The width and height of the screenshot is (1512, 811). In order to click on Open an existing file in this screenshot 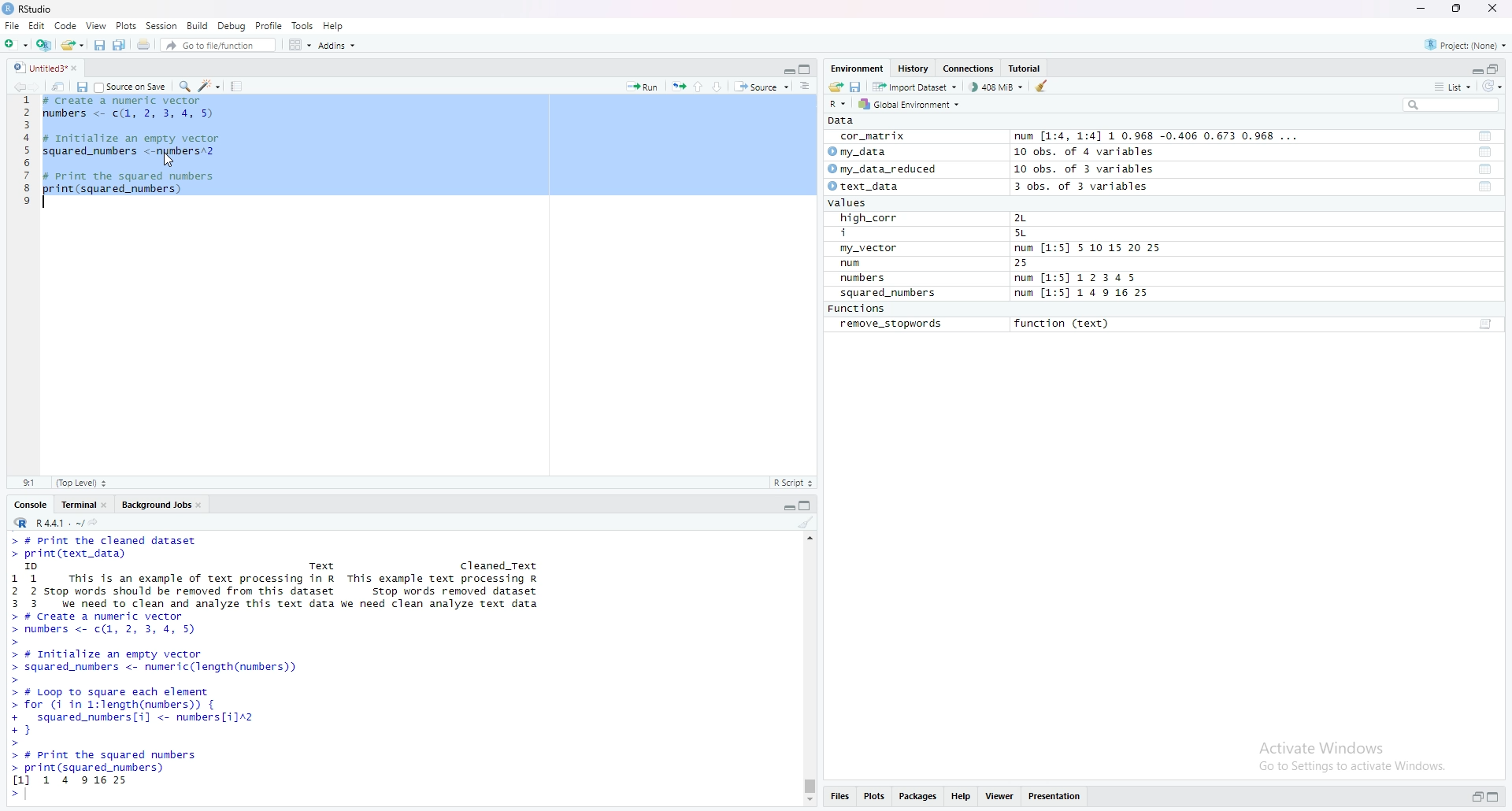, I will do `click(72, 43)`.